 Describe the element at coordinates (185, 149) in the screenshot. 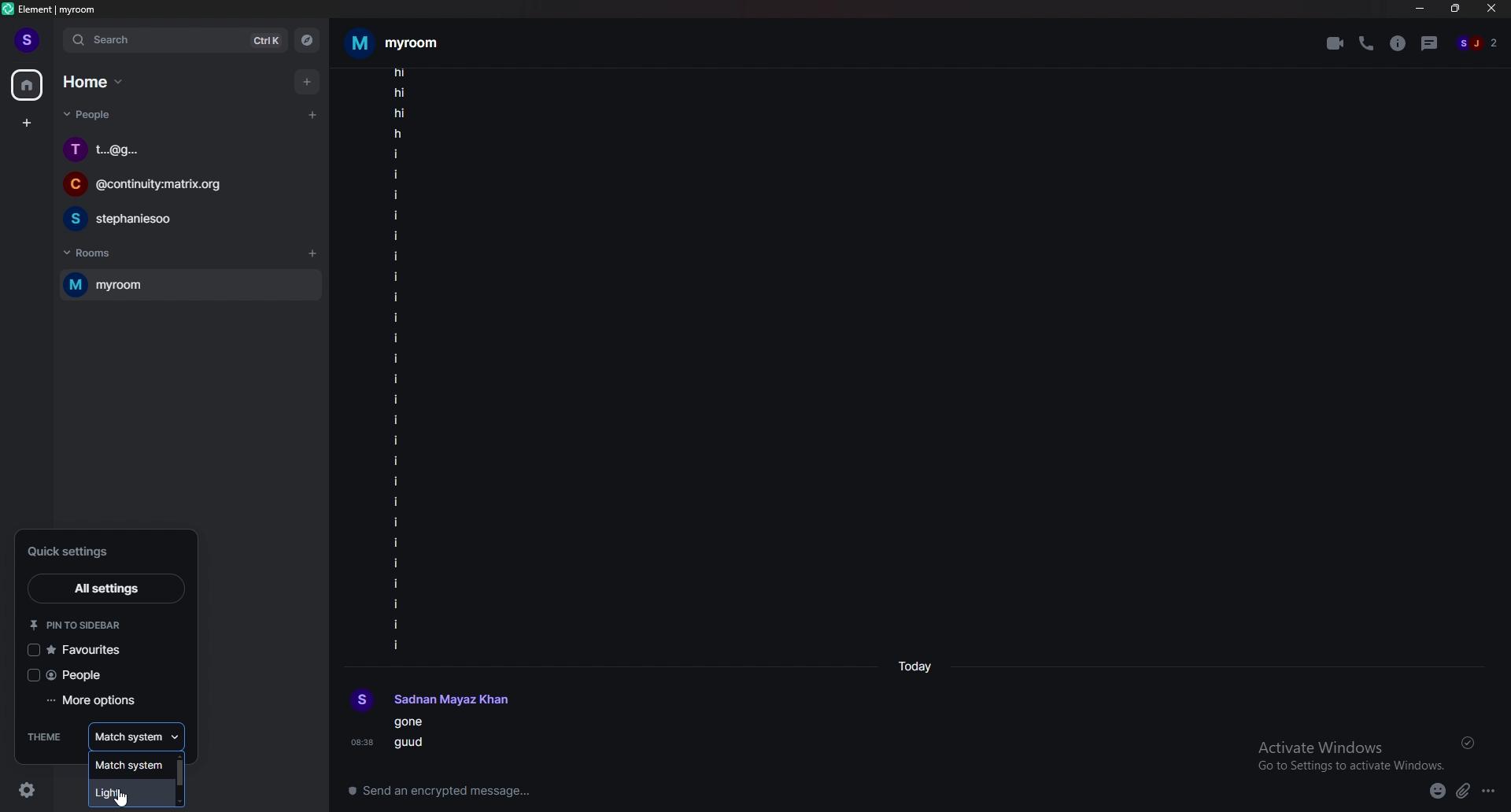

I see `chat` at that location.